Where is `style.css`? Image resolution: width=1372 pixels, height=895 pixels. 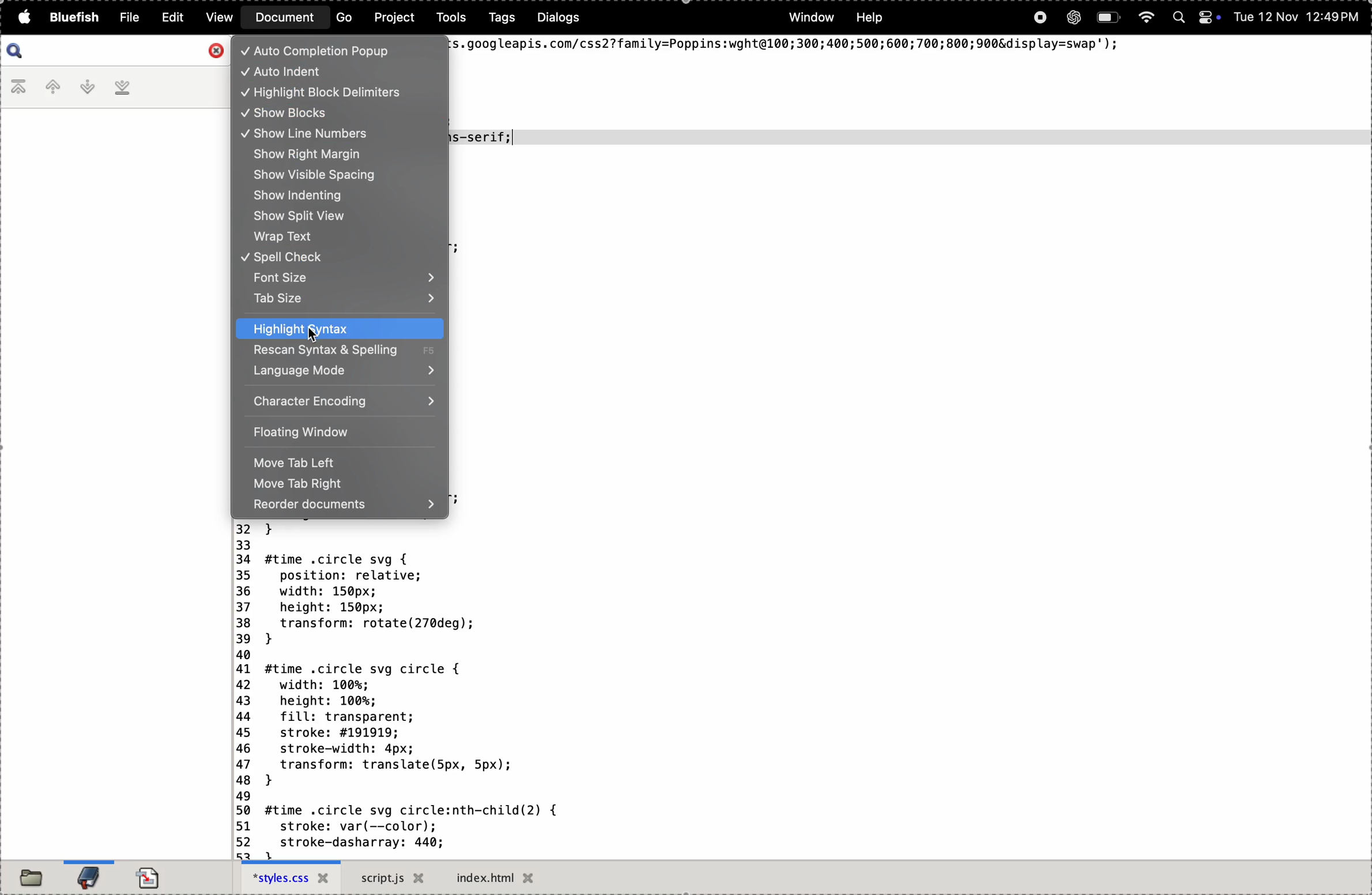 style.css is located at coordinates (290, 878).